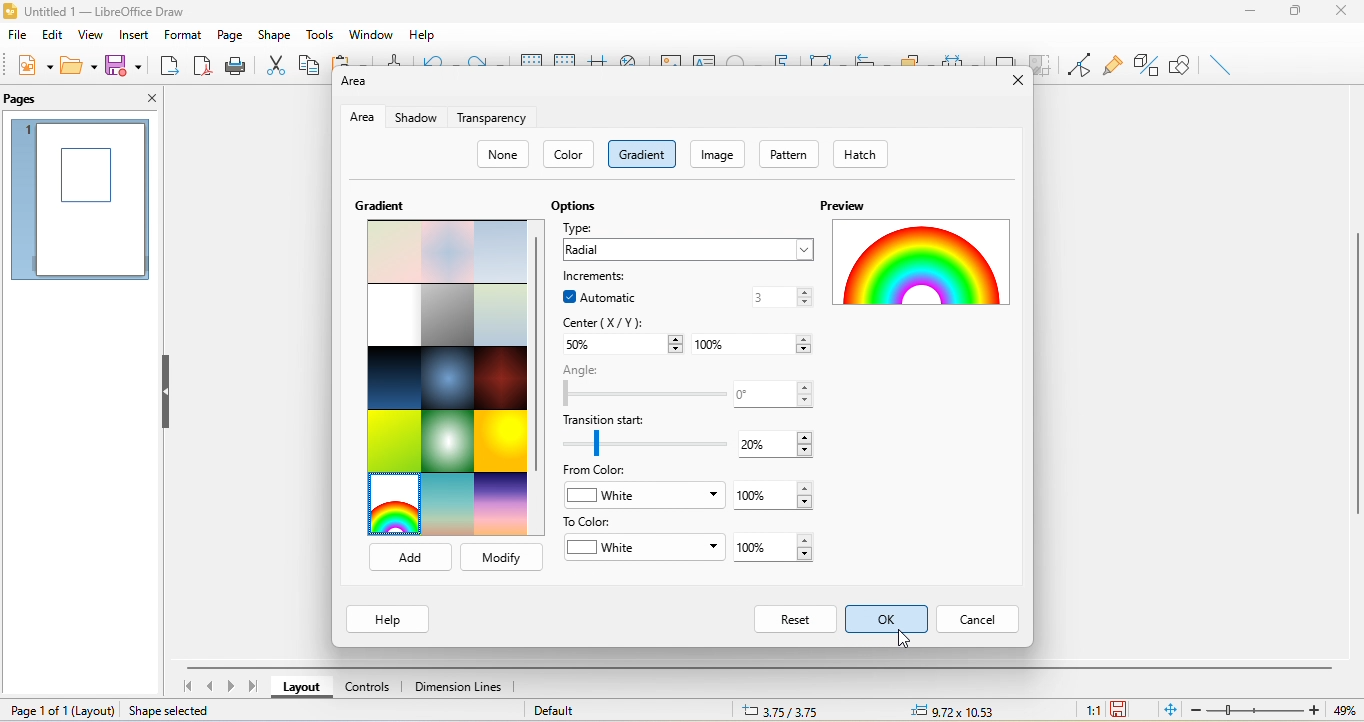  What do you see at coordinates (169, 68) in the screenshot?
I see `export` at bounding box center [169, 68].